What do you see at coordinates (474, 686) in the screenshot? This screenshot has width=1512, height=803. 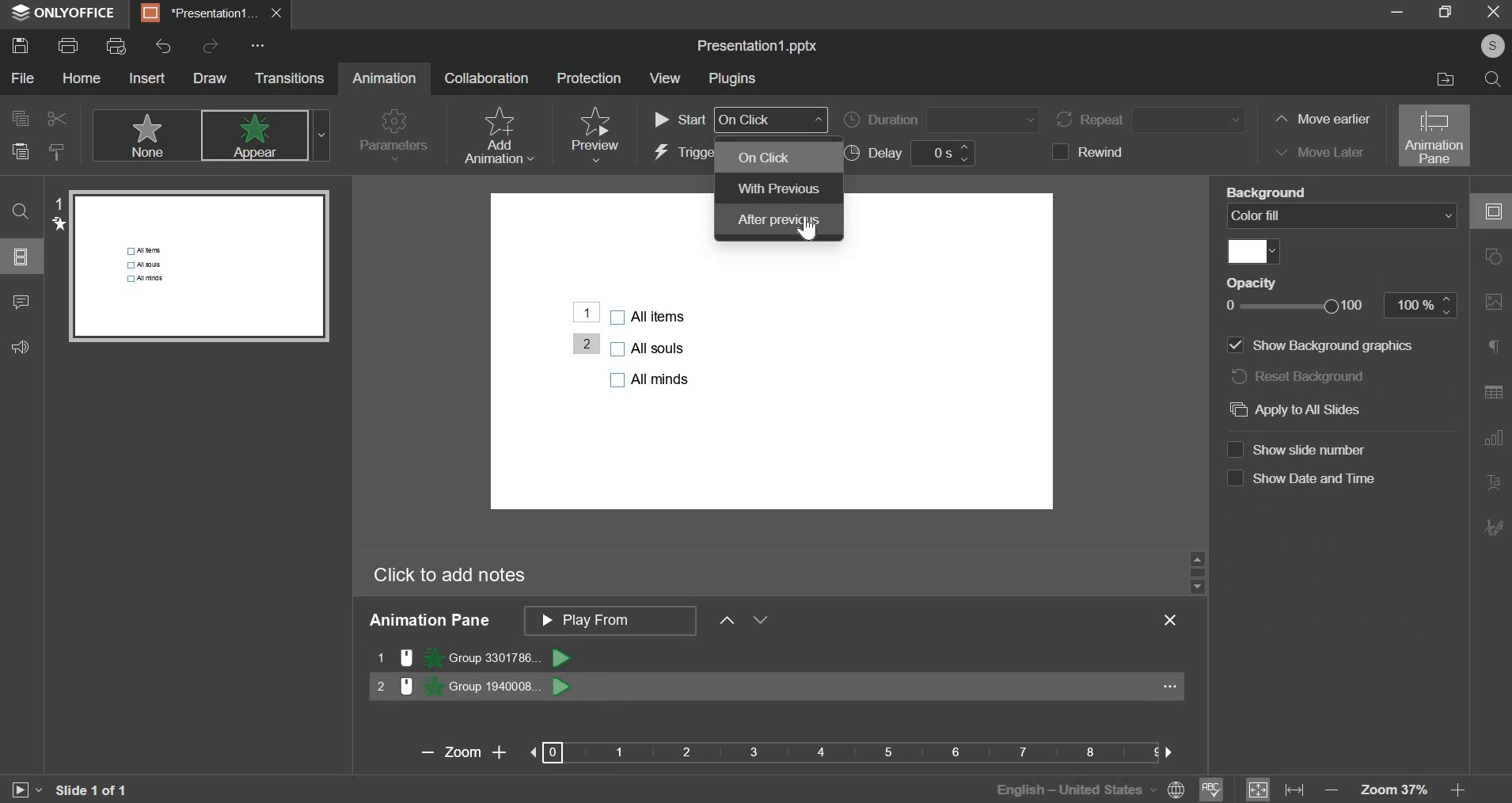 I see `animation 2` at bounding box center [474, 686].